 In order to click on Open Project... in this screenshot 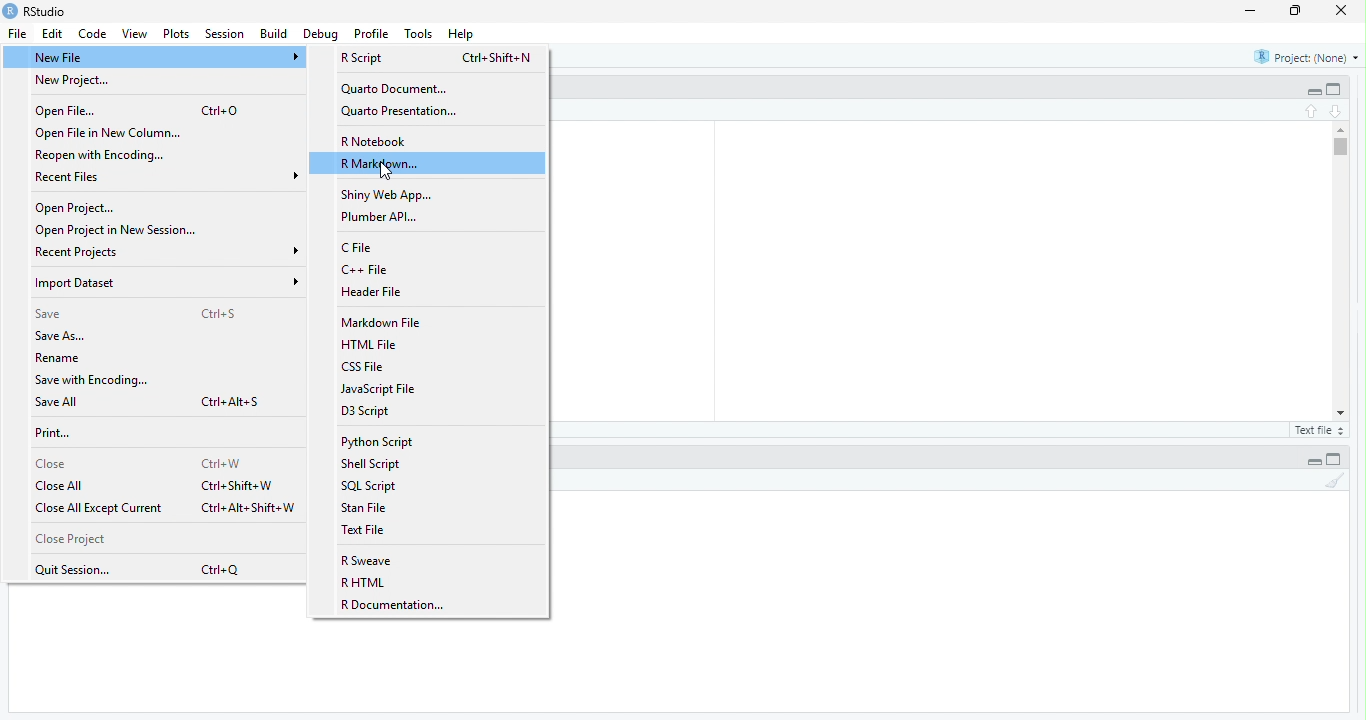, I will do `click(75, 208)`.